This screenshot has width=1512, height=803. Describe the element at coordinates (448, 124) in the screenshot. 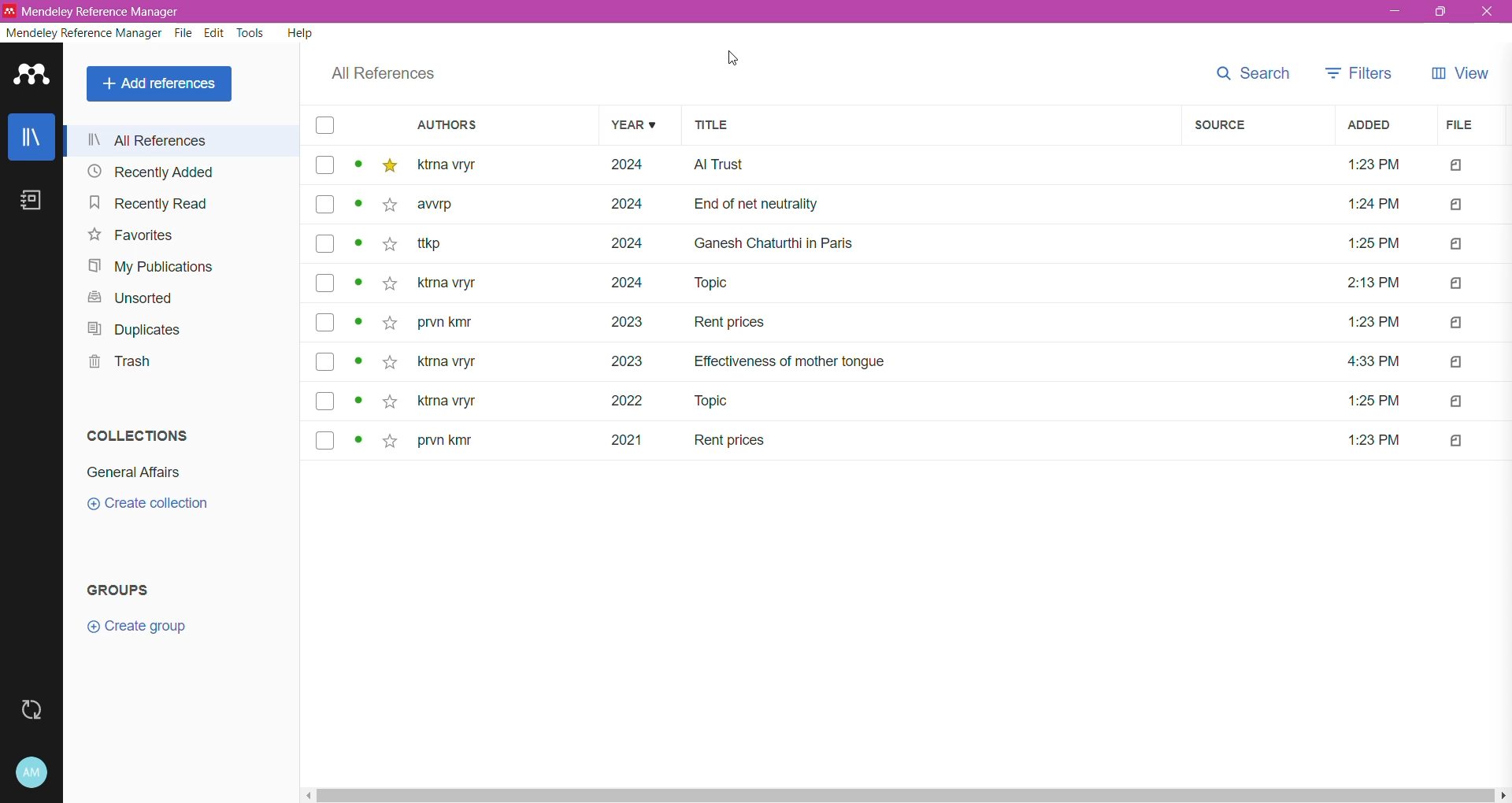

I see `authors` at that location.